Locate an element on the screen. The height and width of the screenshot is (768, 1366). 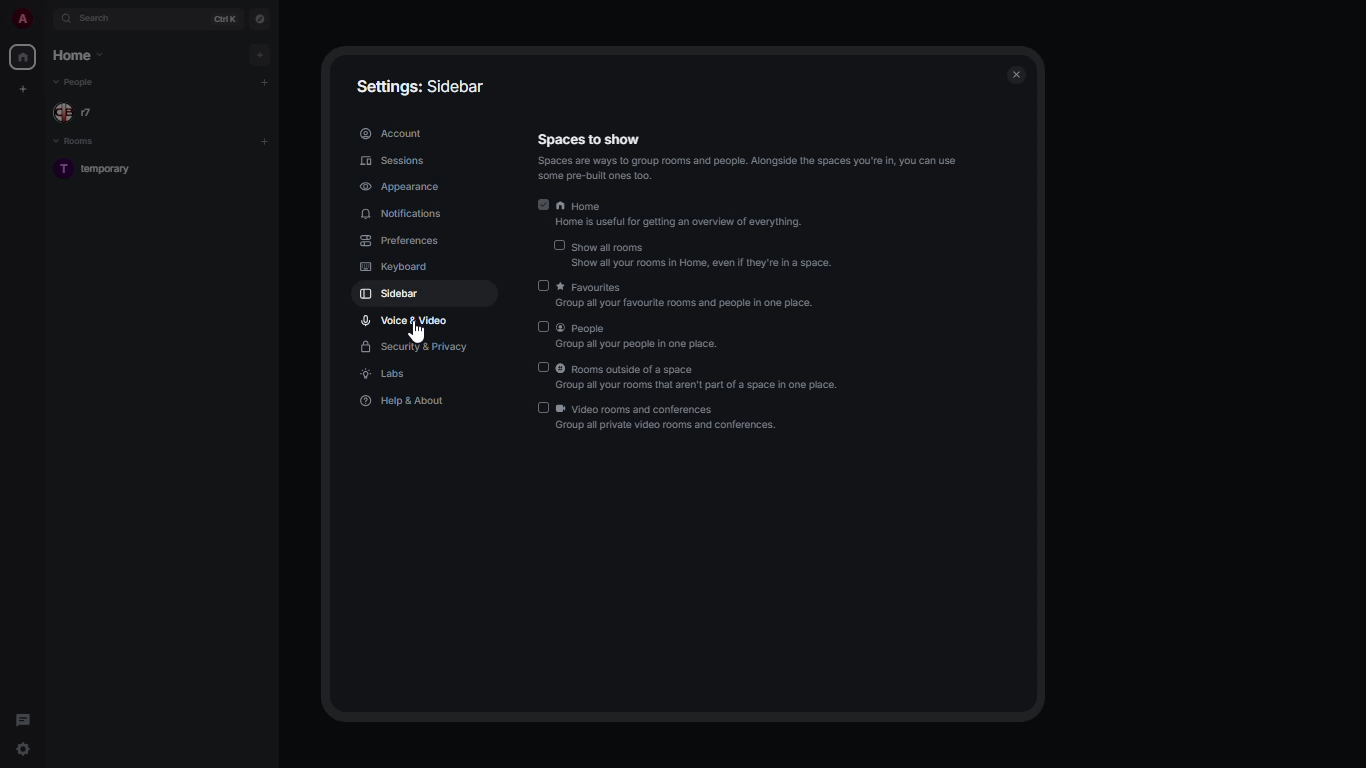
security & privacy is located at coordinates (415, 349).